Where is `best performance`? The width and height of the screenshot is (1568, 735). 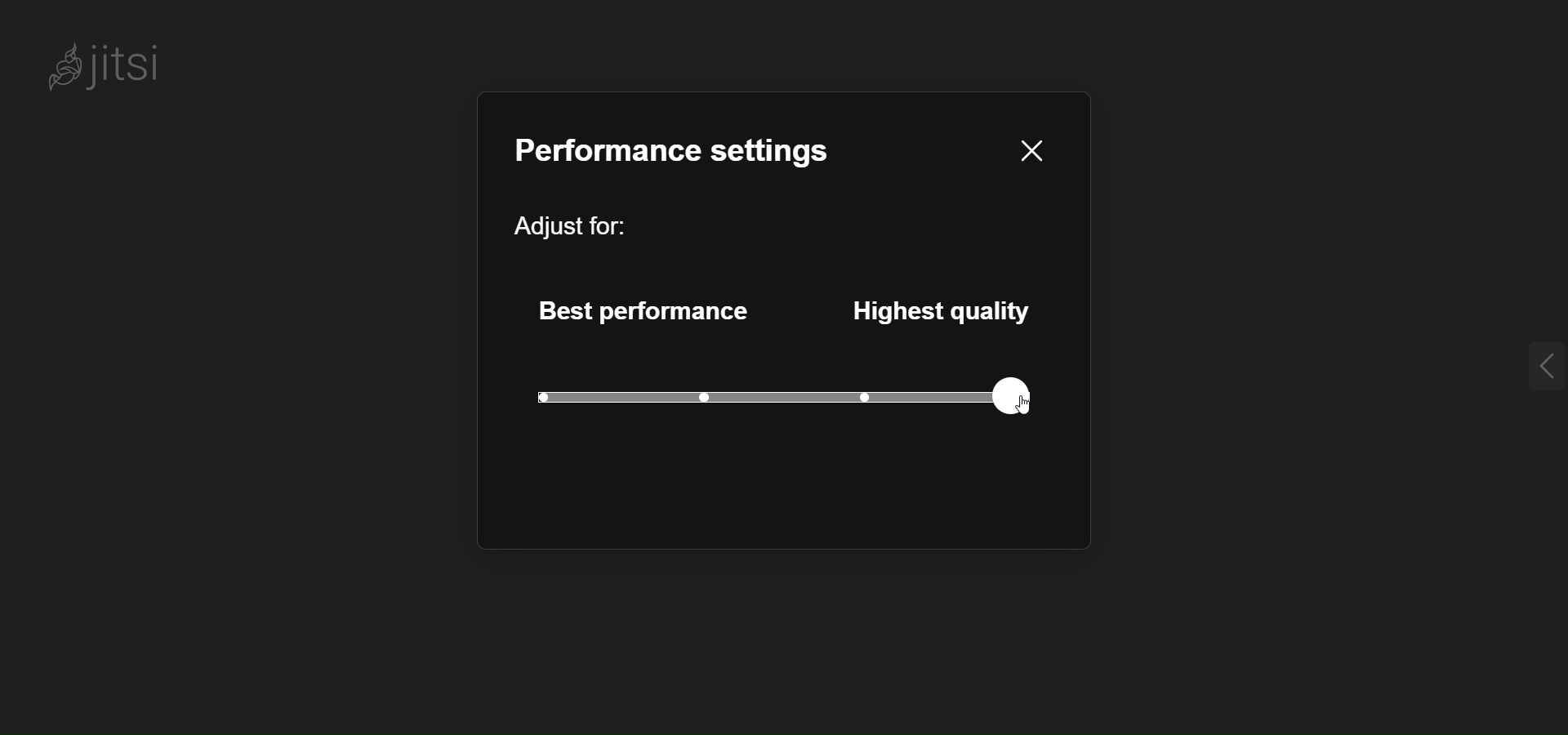 best performance is located at coordinates (644, 309).